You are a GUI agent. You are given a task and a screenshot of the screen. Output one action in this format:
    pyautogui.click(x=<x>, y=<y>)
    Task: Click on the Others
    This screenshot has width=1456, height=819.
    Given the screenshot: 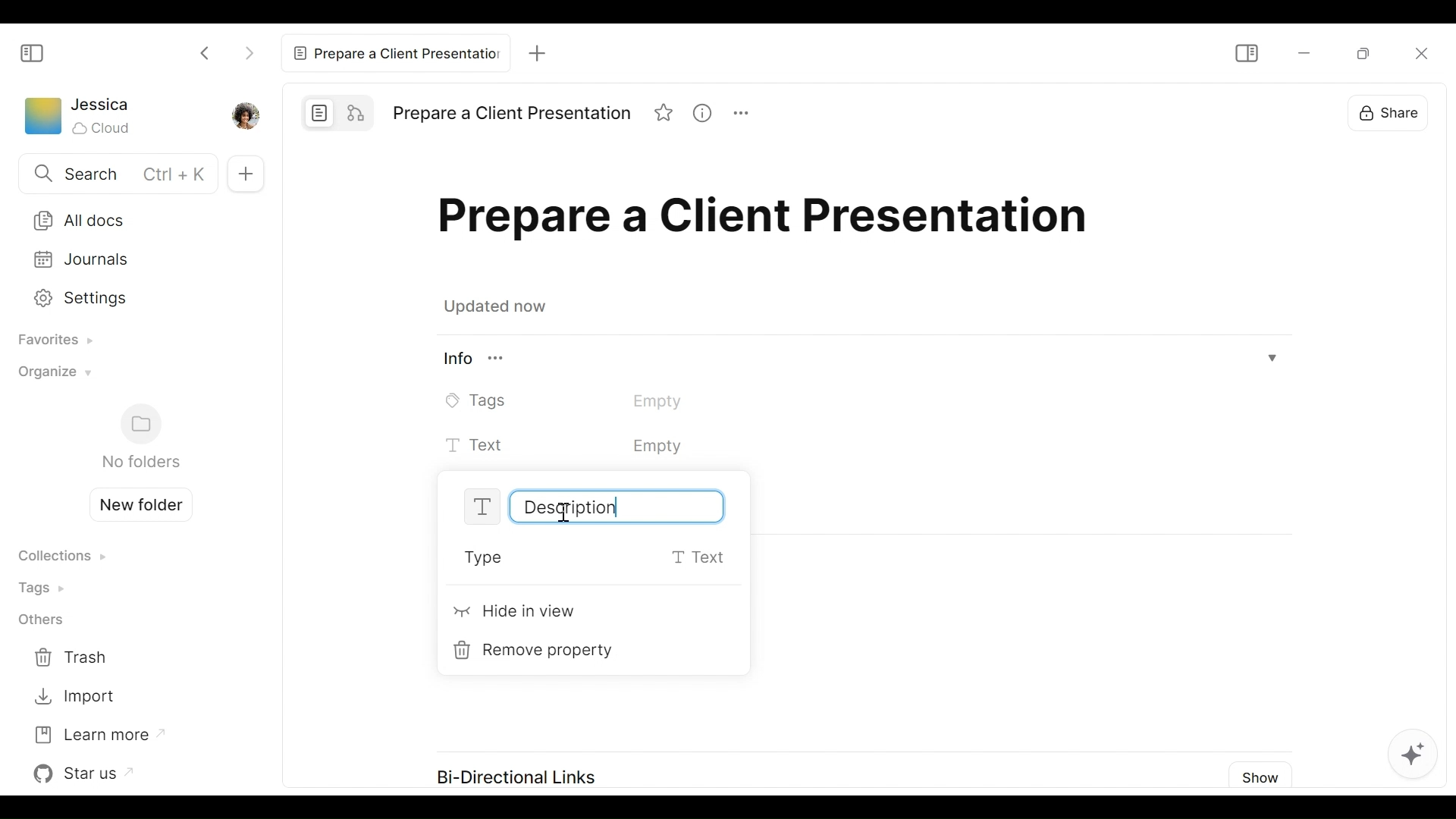 What is the action you would take?
    pyautogui.click(x=40, y=621)
    